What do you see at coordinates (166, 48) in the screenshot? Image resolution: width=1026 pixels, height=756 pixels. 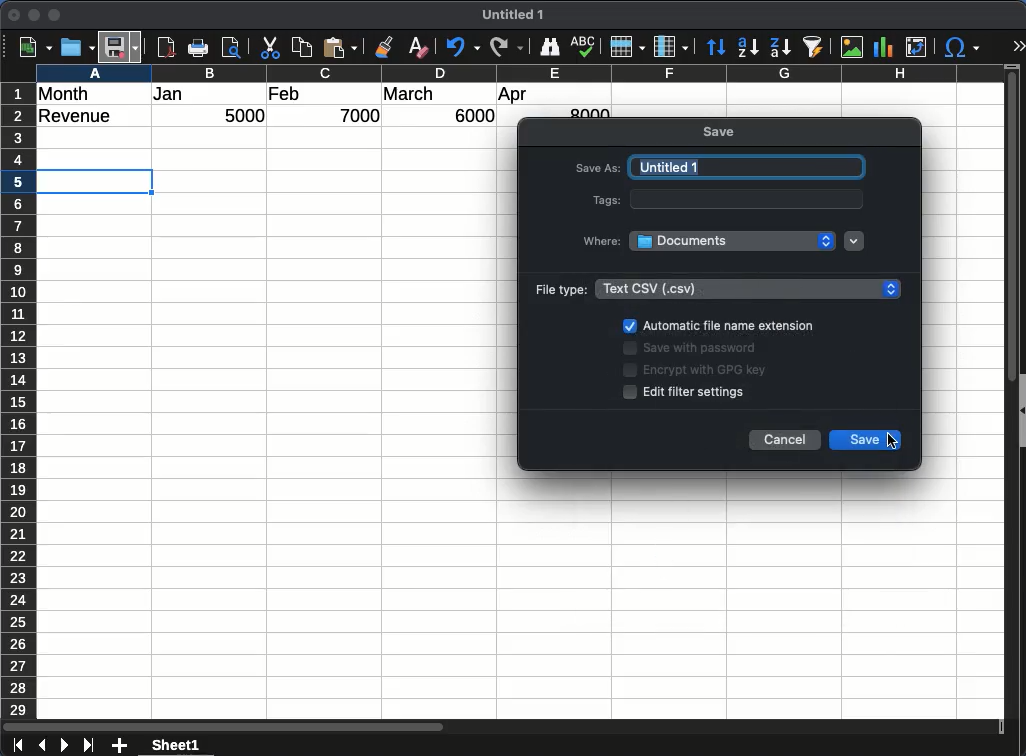 I see `pdf reader` at bounding box center [166, 48].